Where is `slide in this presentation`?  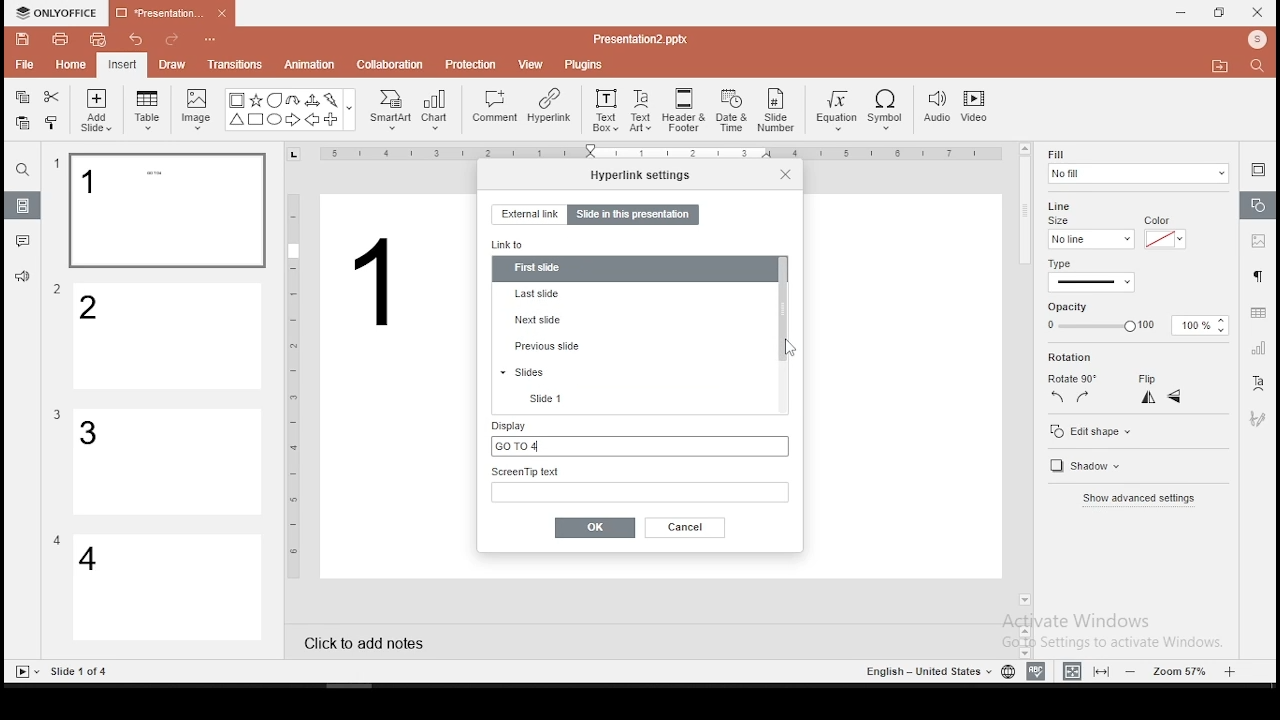
slide in this presentation is located at coordinates (633, 216).